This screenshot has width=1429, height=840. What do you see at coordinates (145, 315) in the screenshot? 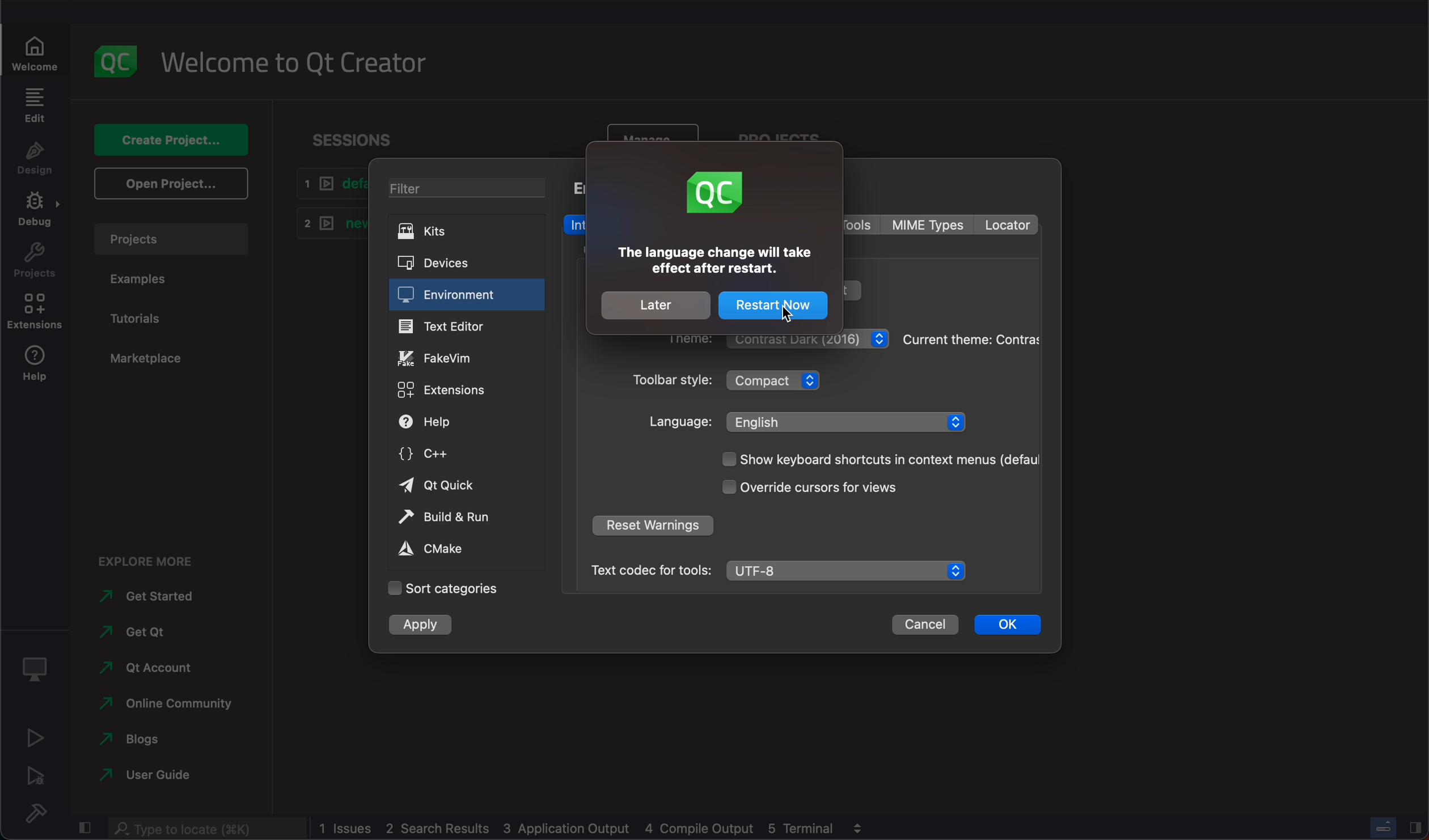
I see `tutorials` at bounding box center [145, 315].